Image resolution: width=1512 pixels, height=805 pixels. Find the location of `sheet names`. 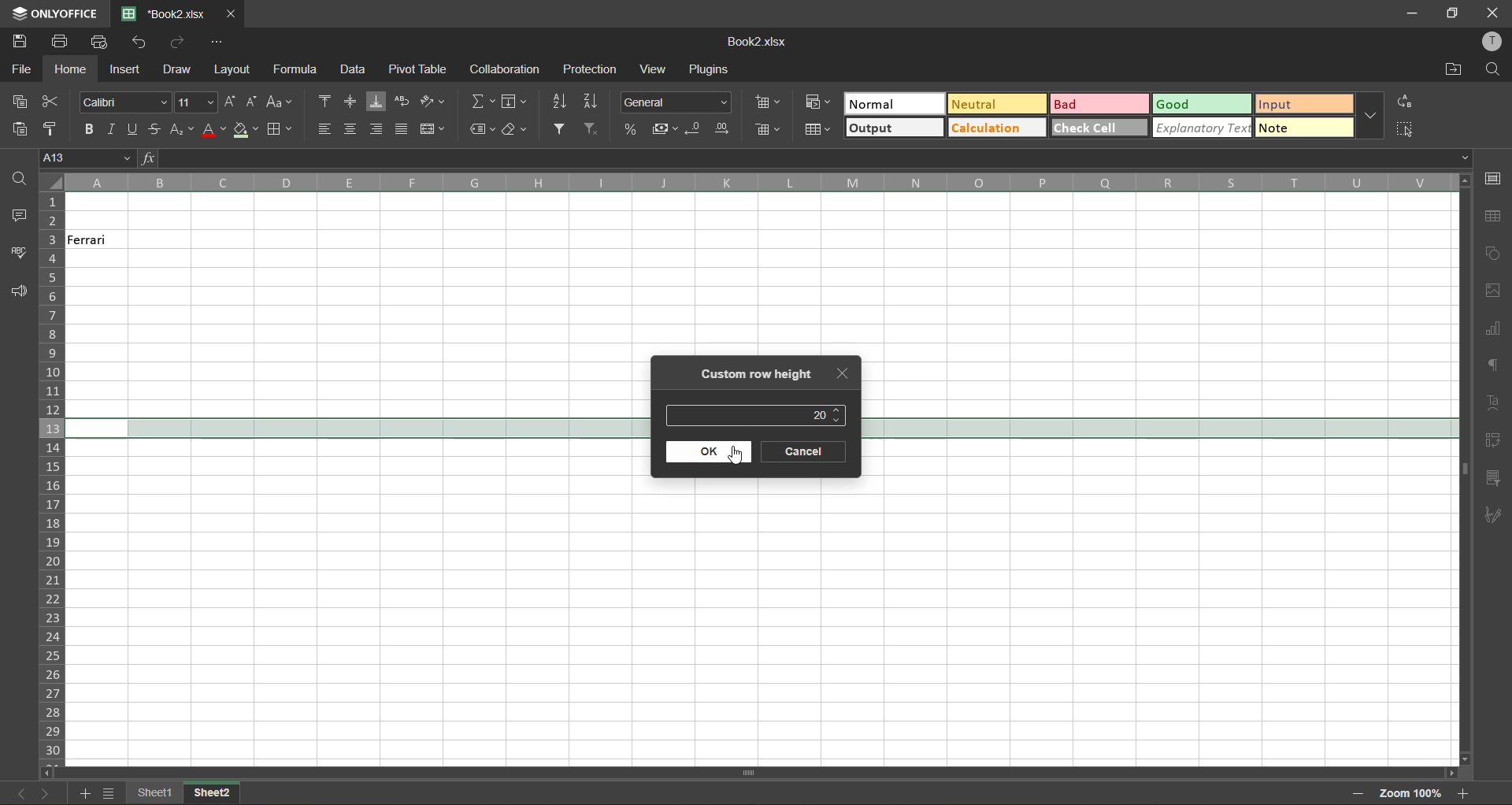

sheet names is located at coordinates (213, 794).